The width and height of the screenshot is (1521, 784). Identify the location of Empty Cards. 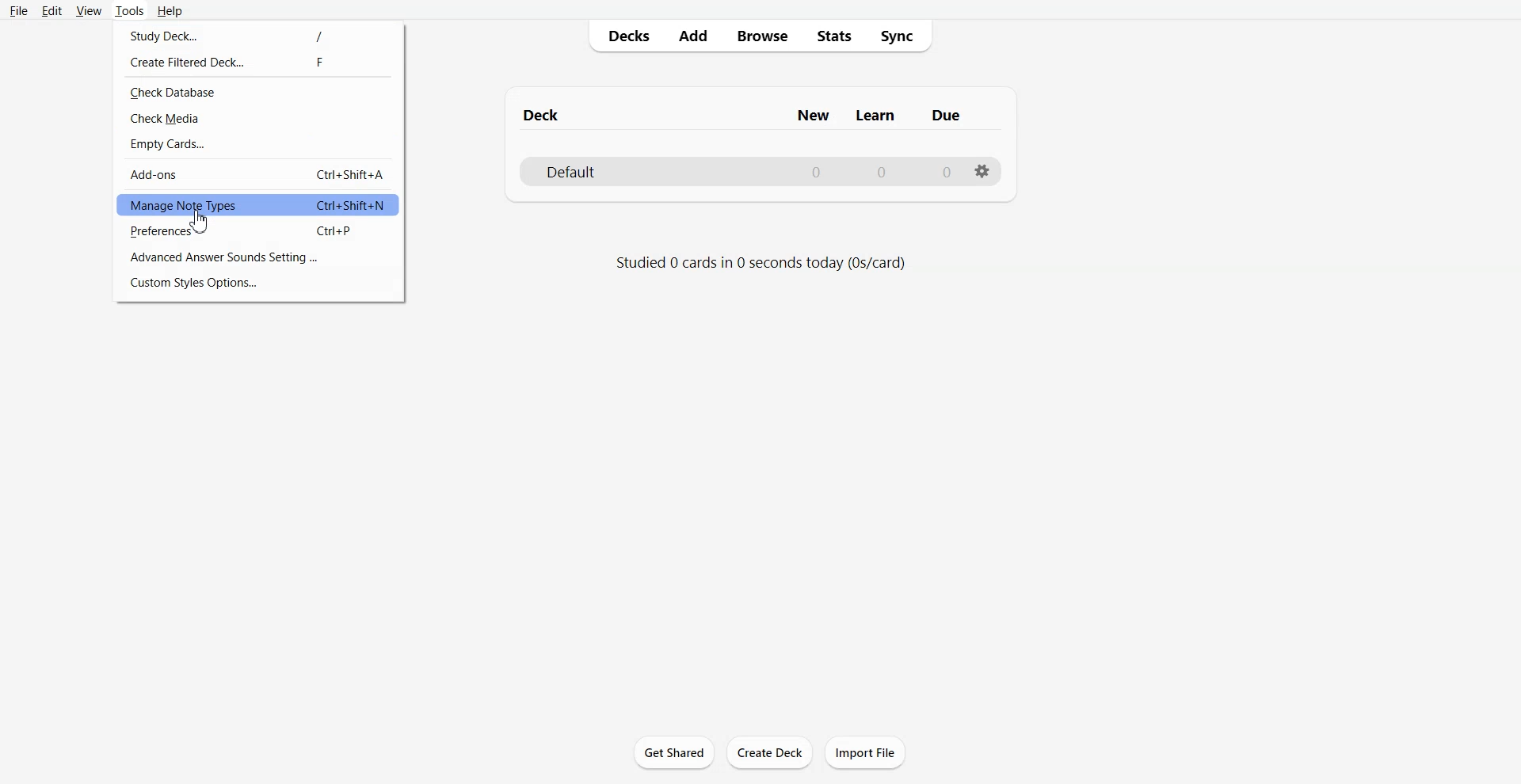
(257, 145).